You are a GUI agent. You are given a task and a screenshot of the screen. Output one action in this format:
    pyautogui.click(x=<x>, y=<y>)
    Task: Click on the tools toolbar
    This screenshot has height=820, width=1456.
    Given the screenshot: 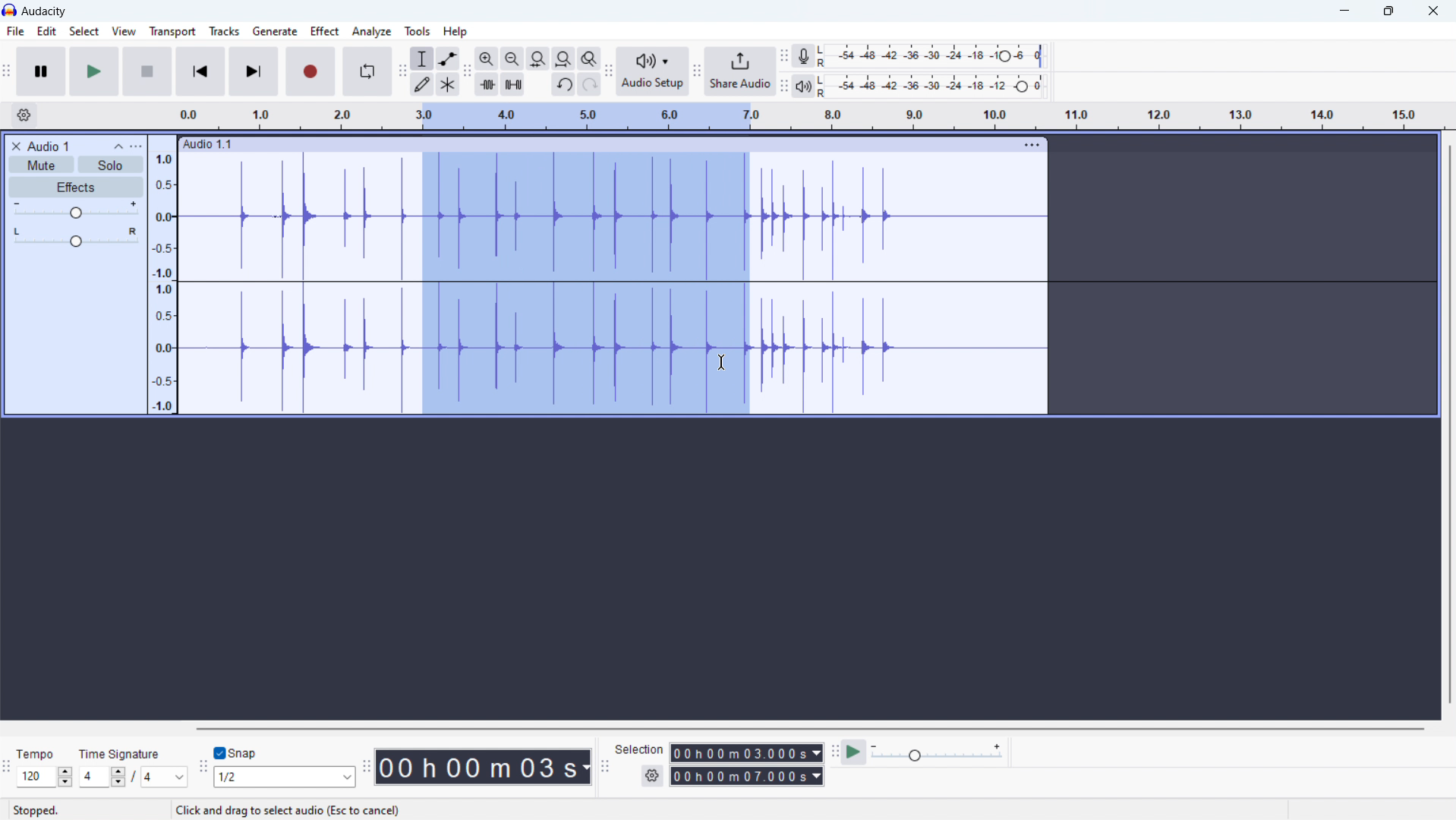 What is the action you would take?
    pyautogui.click(x=402, y=71)
    